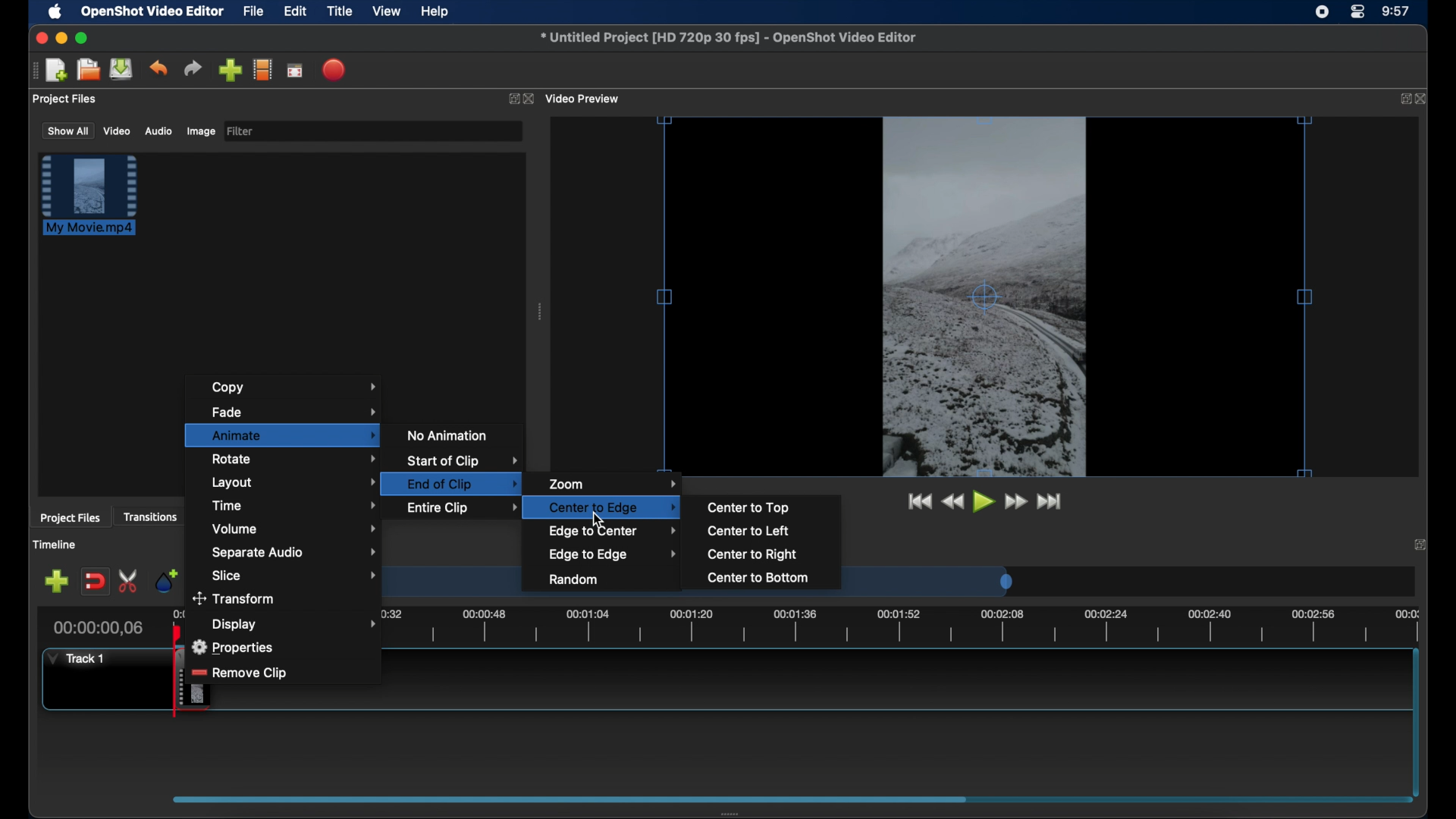 The height and width of the screenshot is (819, 1456). What do you see at coordinates (236, 645) in the screenshot?
I see `properties` at bounding box center [236, 645].